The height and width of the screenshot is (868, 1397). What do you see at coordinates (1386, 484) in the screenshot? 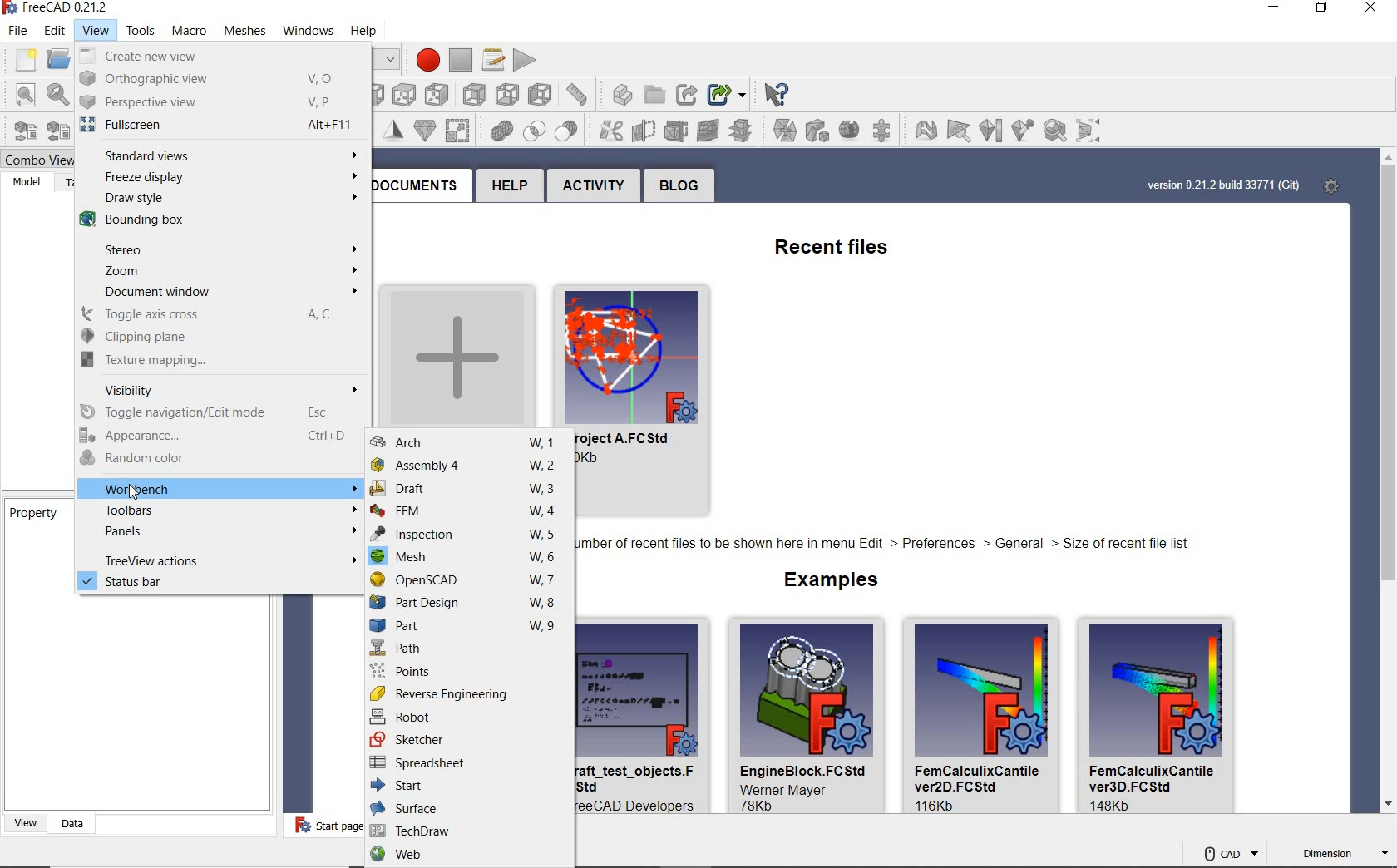
I see `scrollbar` at bounding box center [1386, 484].